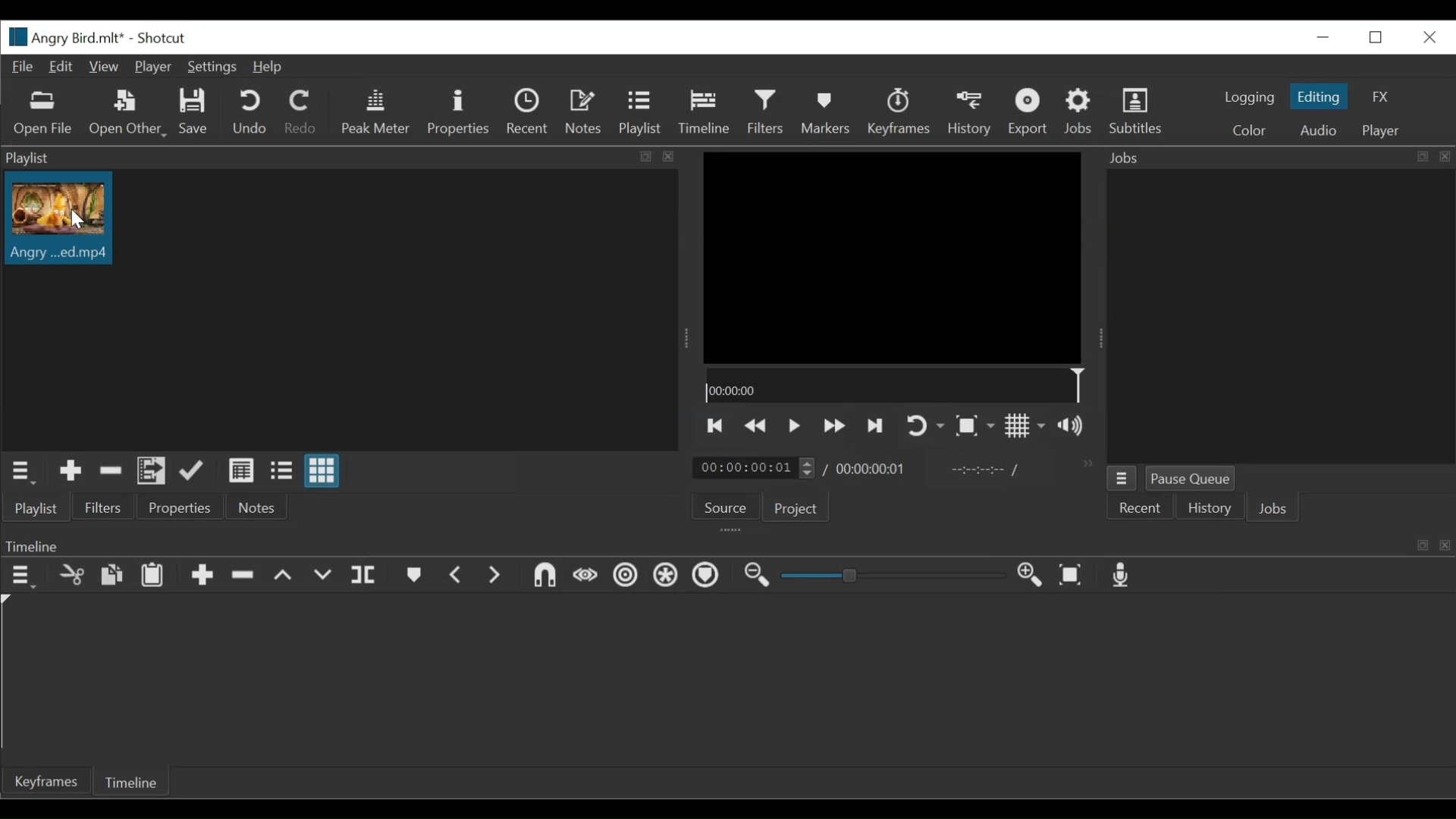  Describe the element at coordinates (152, 473) in the screenshot. I see `Add files to the playlist` at that location.